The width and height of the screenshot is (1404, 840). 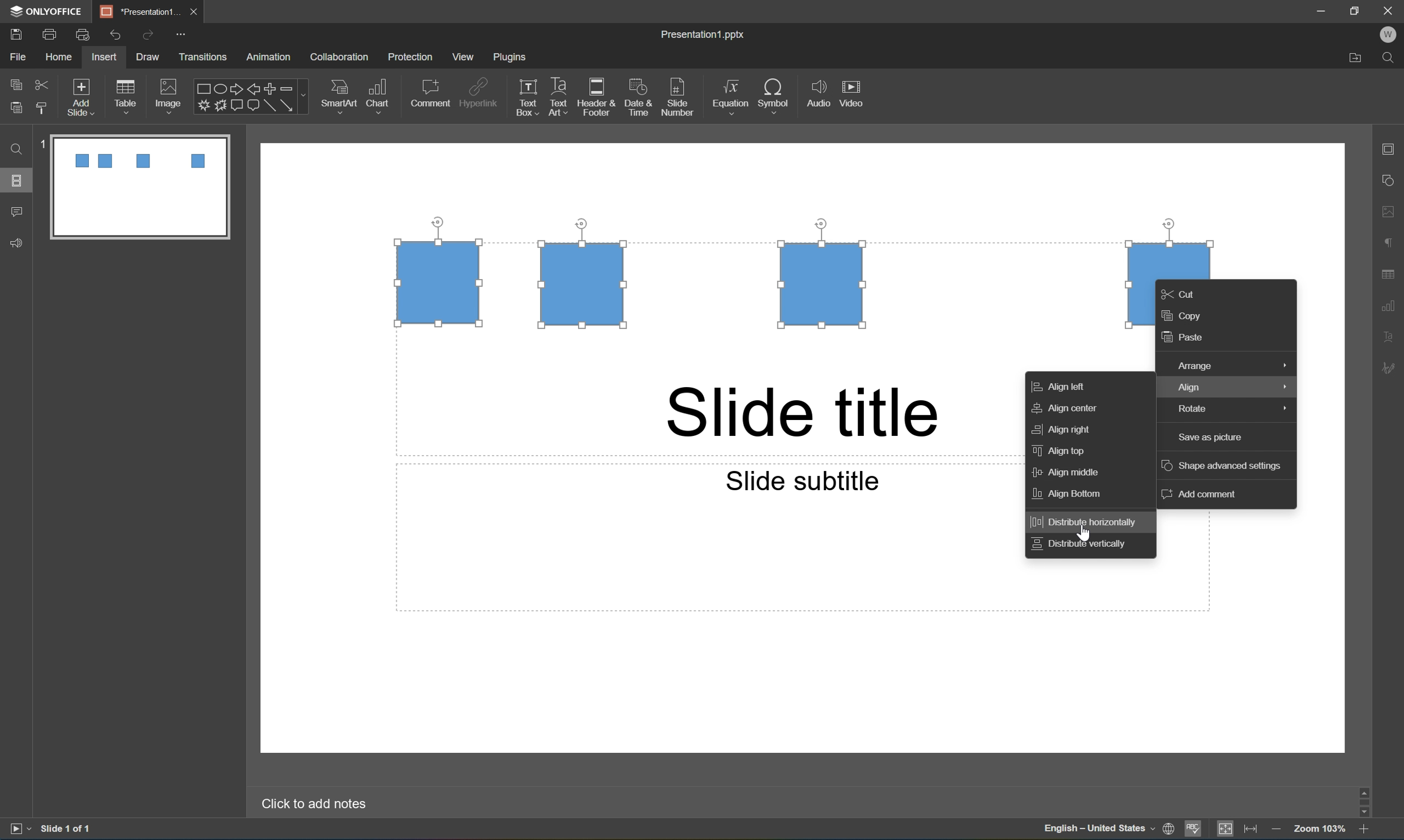 What do you see at coordinates (83, 95) in the screenshot?
I see `add slide` at bounding box center [83, 95].